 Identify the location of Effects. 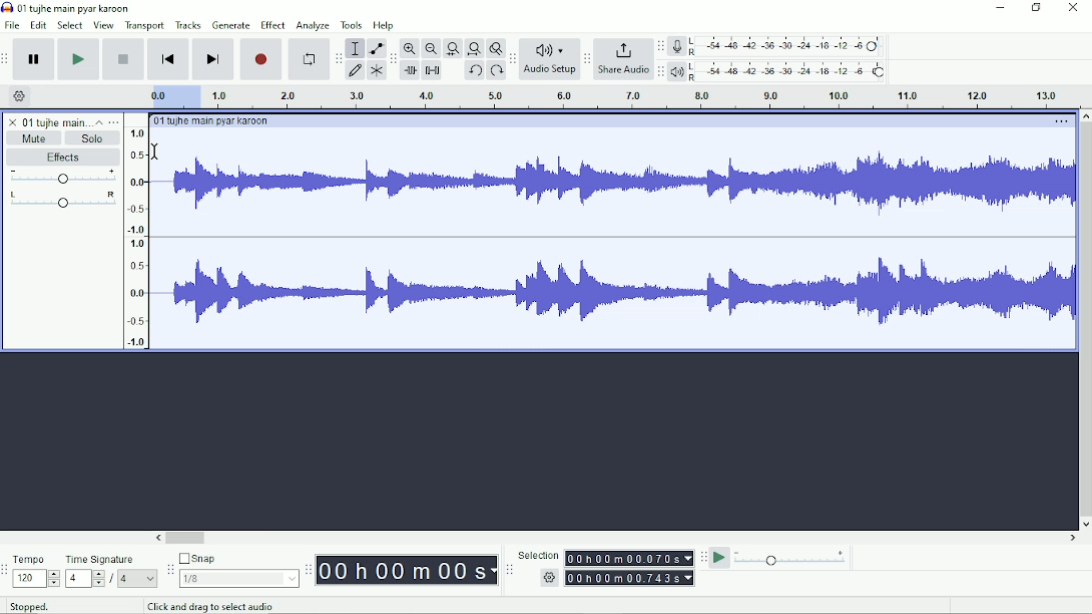
(63, 158).